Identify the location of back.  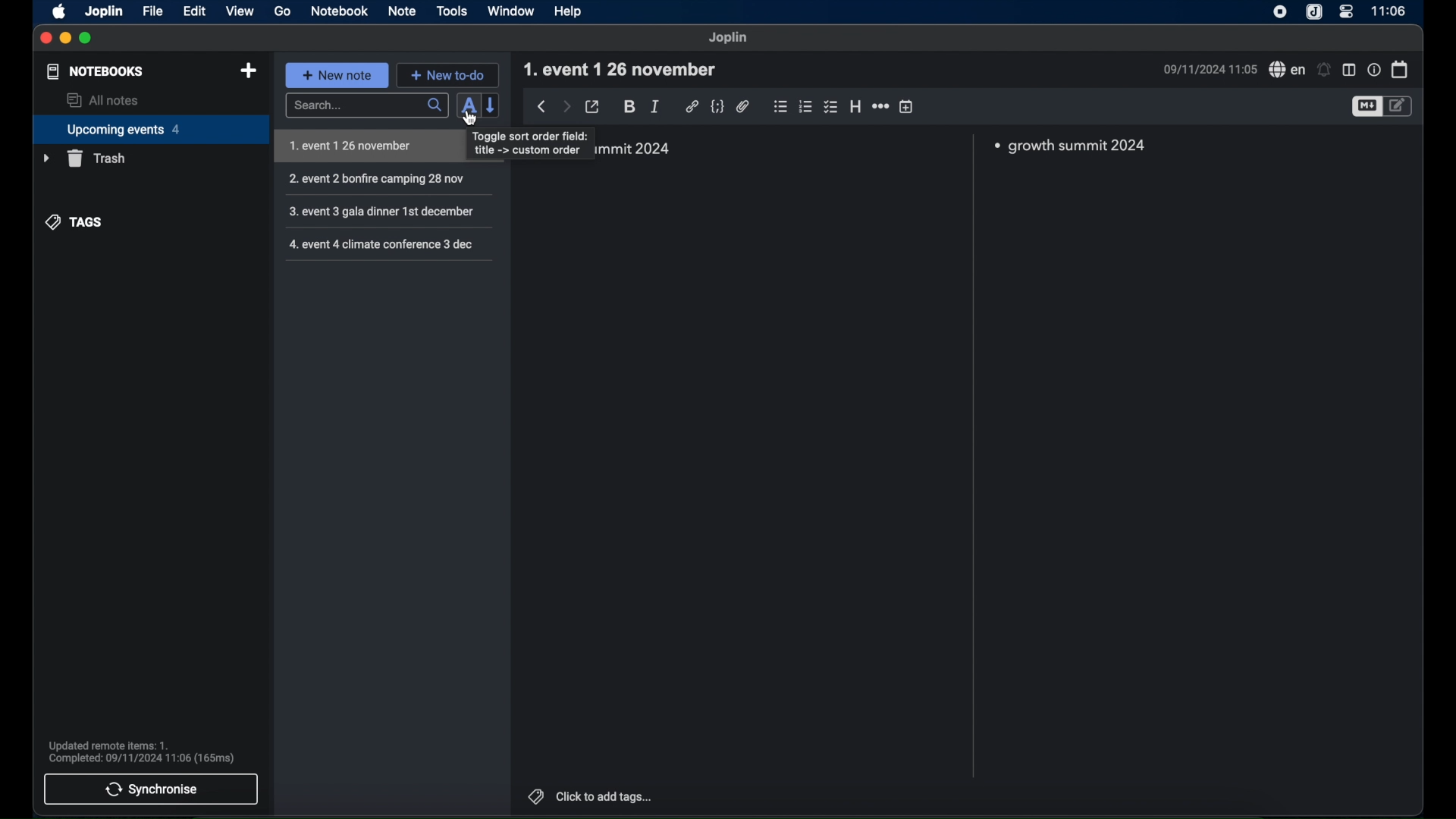
(542, 106).